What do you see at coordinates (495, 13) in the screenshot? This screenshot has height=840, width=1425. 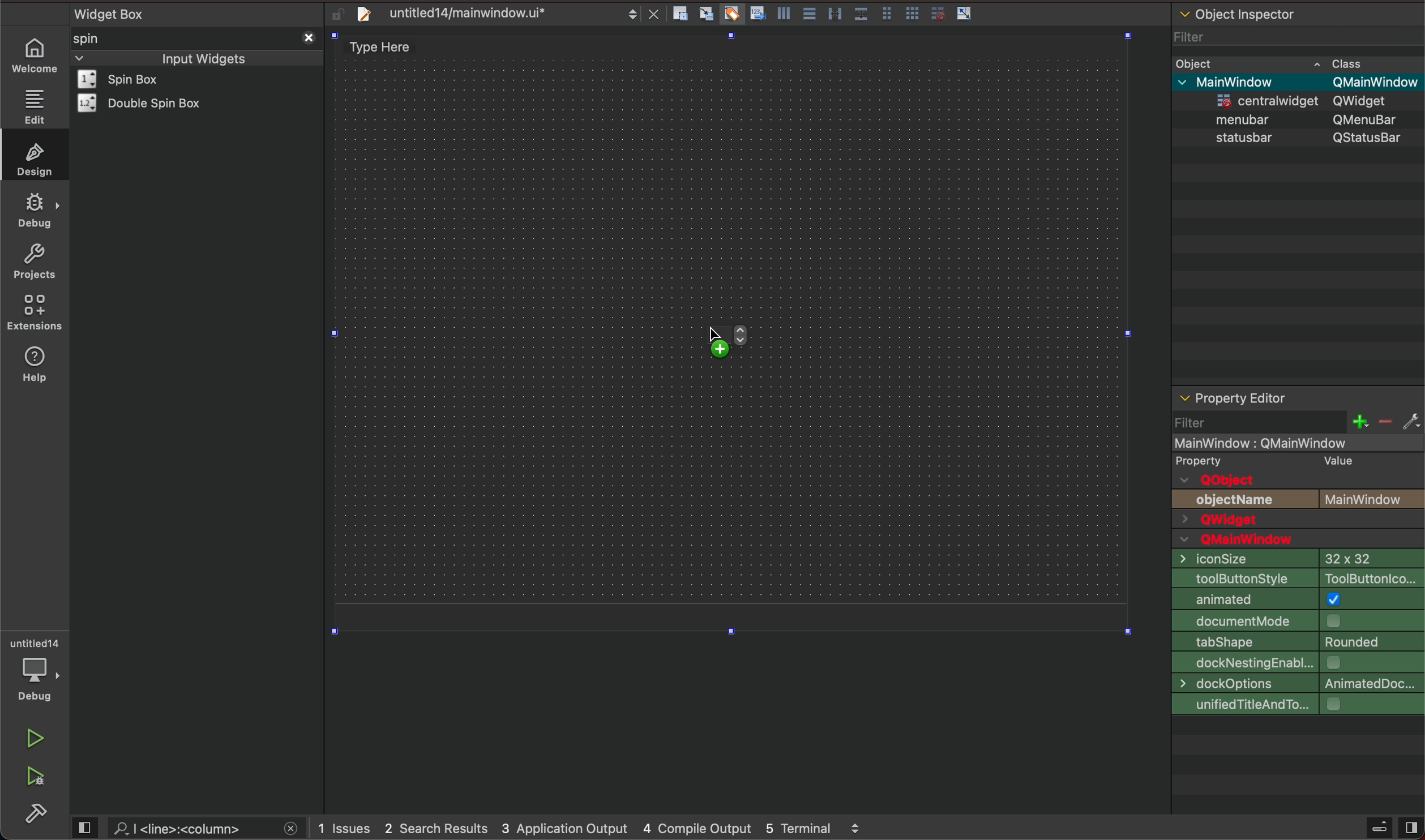 I see `file tab` at bounding box center [495, 13].